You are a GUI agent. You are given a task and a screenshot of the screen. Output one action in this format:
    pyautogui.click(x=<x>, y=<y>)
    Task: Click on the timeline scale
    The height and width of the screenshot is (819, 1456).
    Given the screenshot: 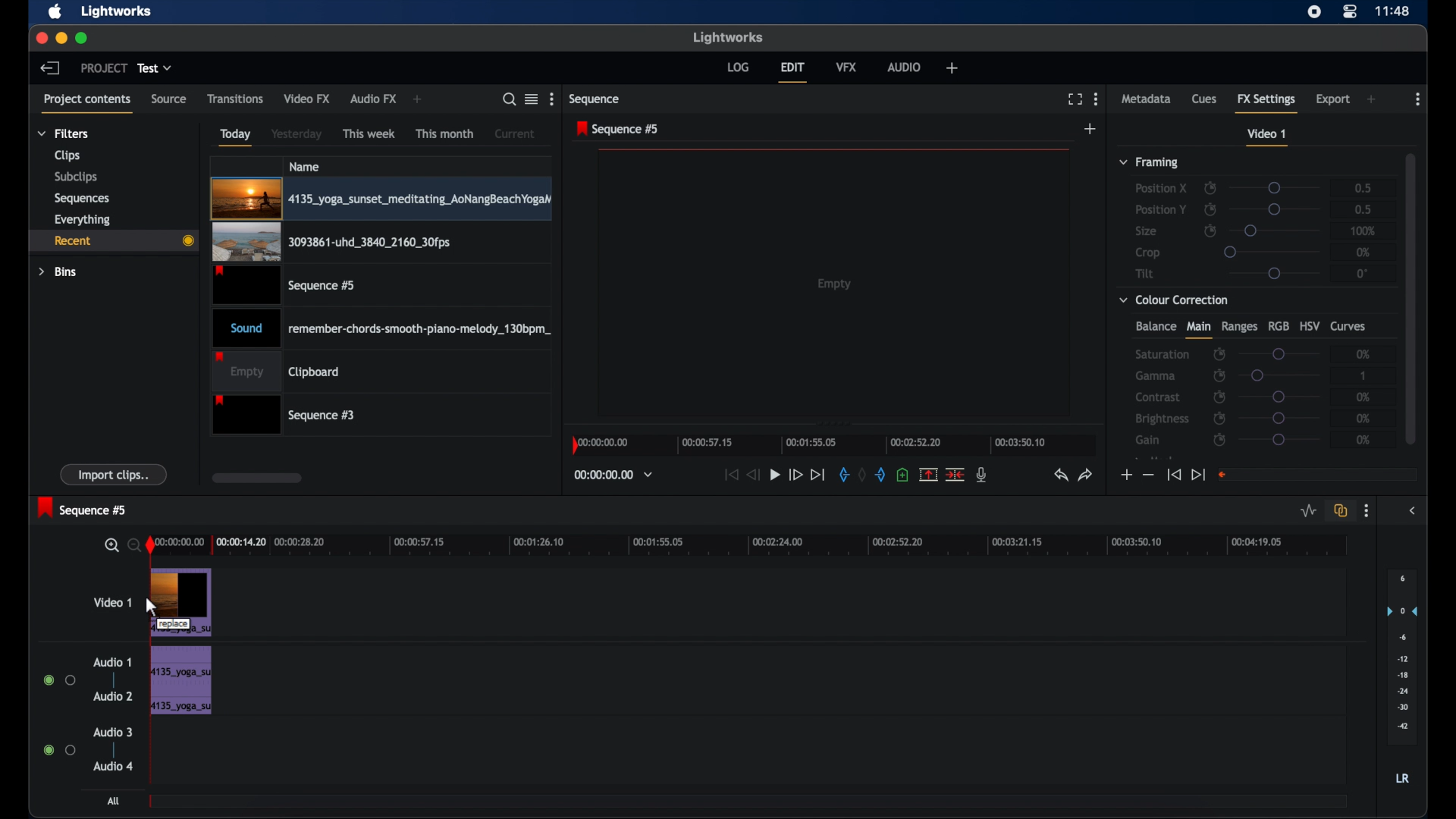 What is the action you would take?
    pyautogui.click(x=759, y=547)
    